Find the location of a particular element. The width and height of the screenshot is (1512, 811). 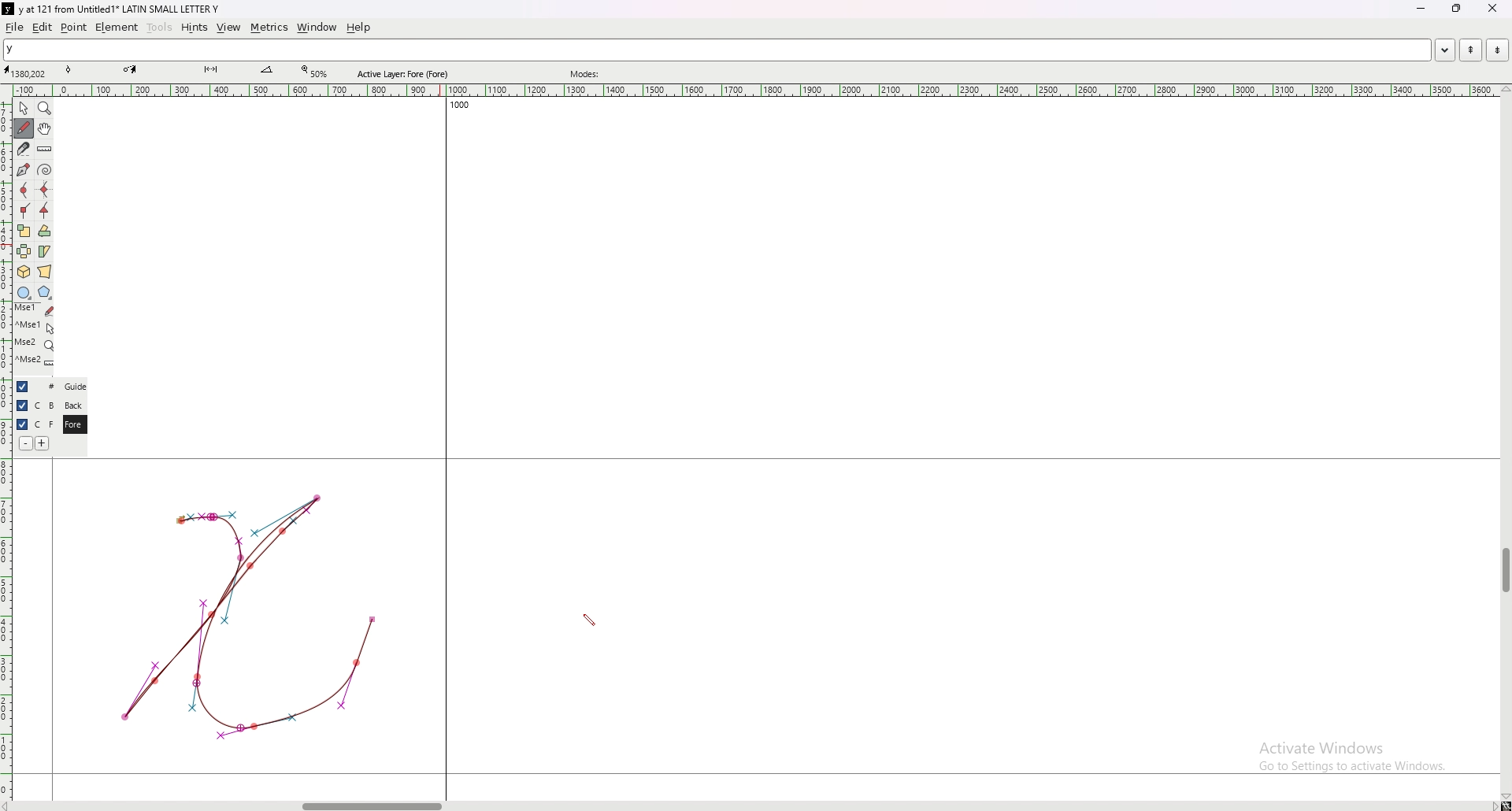

hide layer is located at coordinates (22, 424).